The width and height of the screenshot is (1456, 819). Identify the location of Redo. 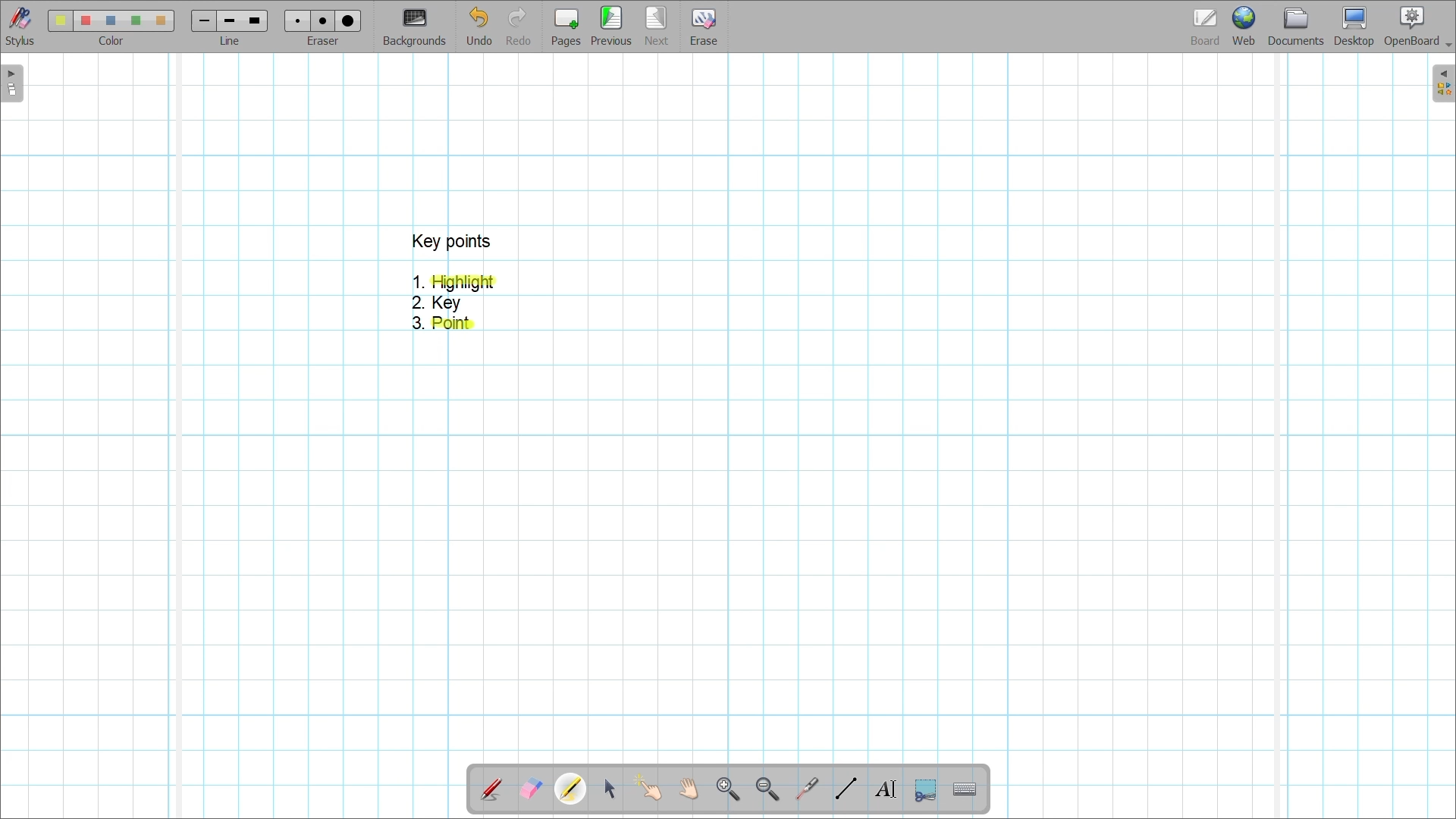
(519, 26).